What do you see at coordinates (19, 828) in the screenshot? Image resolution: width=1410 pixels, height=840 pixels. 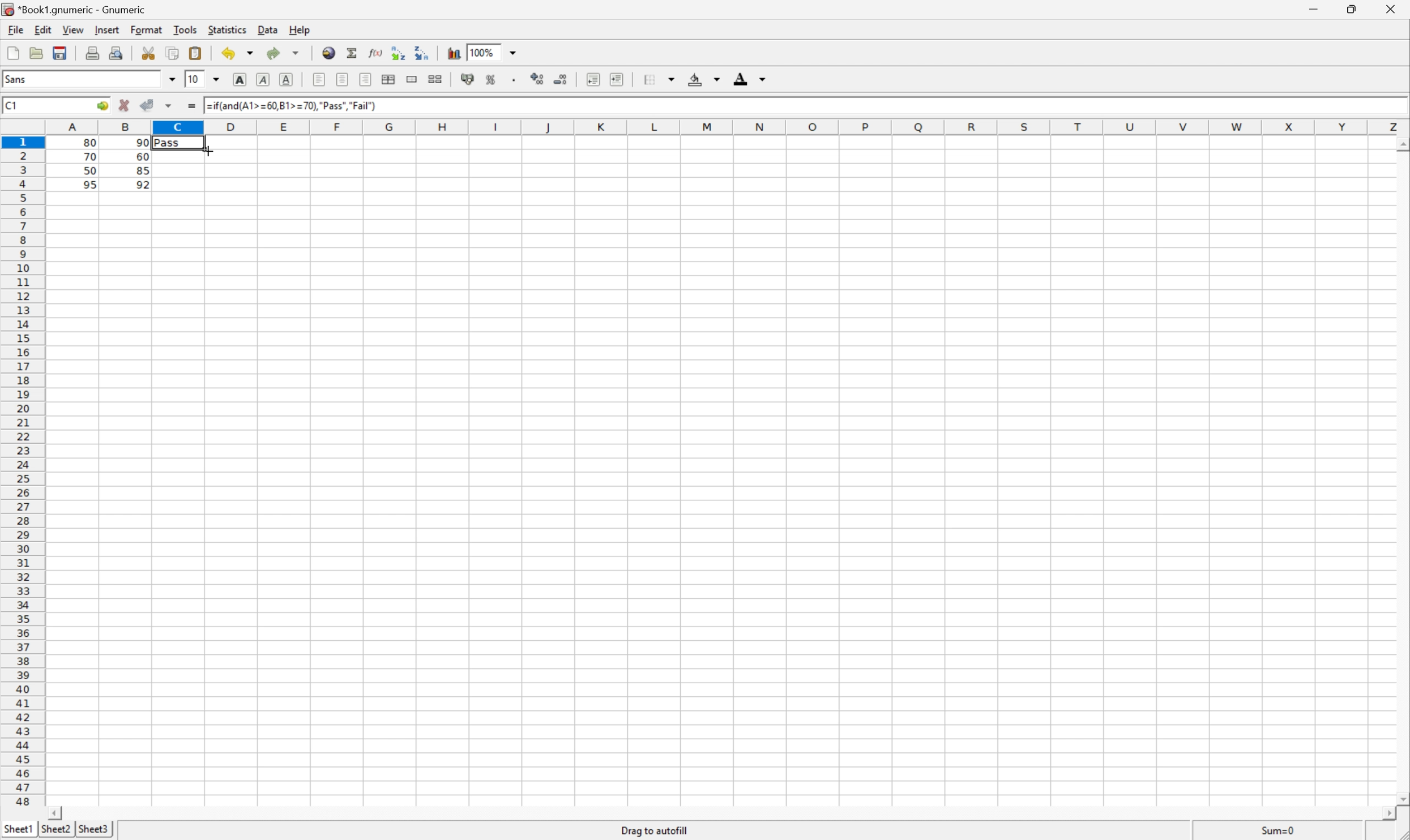 I see `Sheet1` at bounding box center [19, 828].